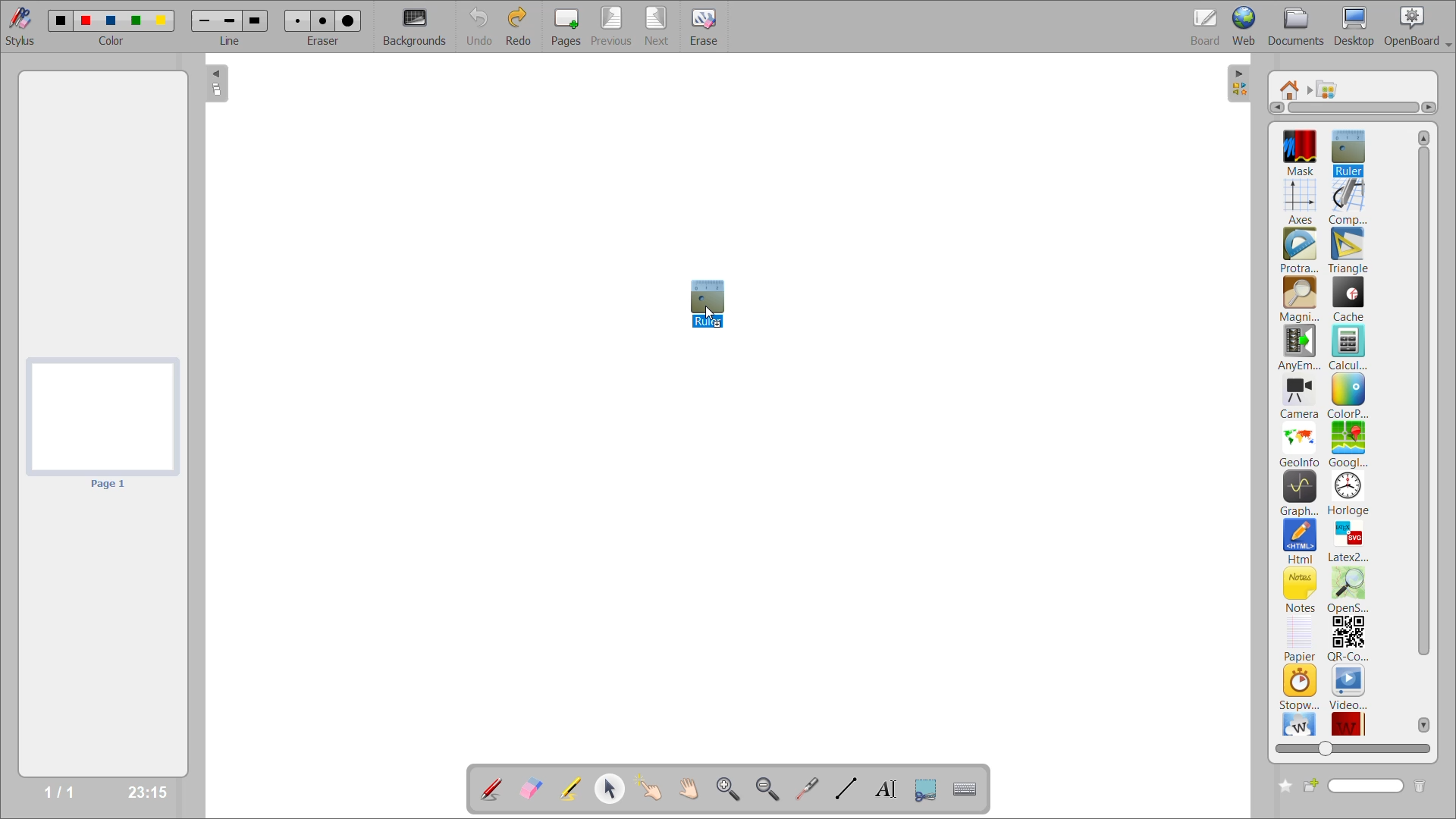  Describe the element at coordinates (1348, 541) in the screenshot. I see `latex2svg` at that location.